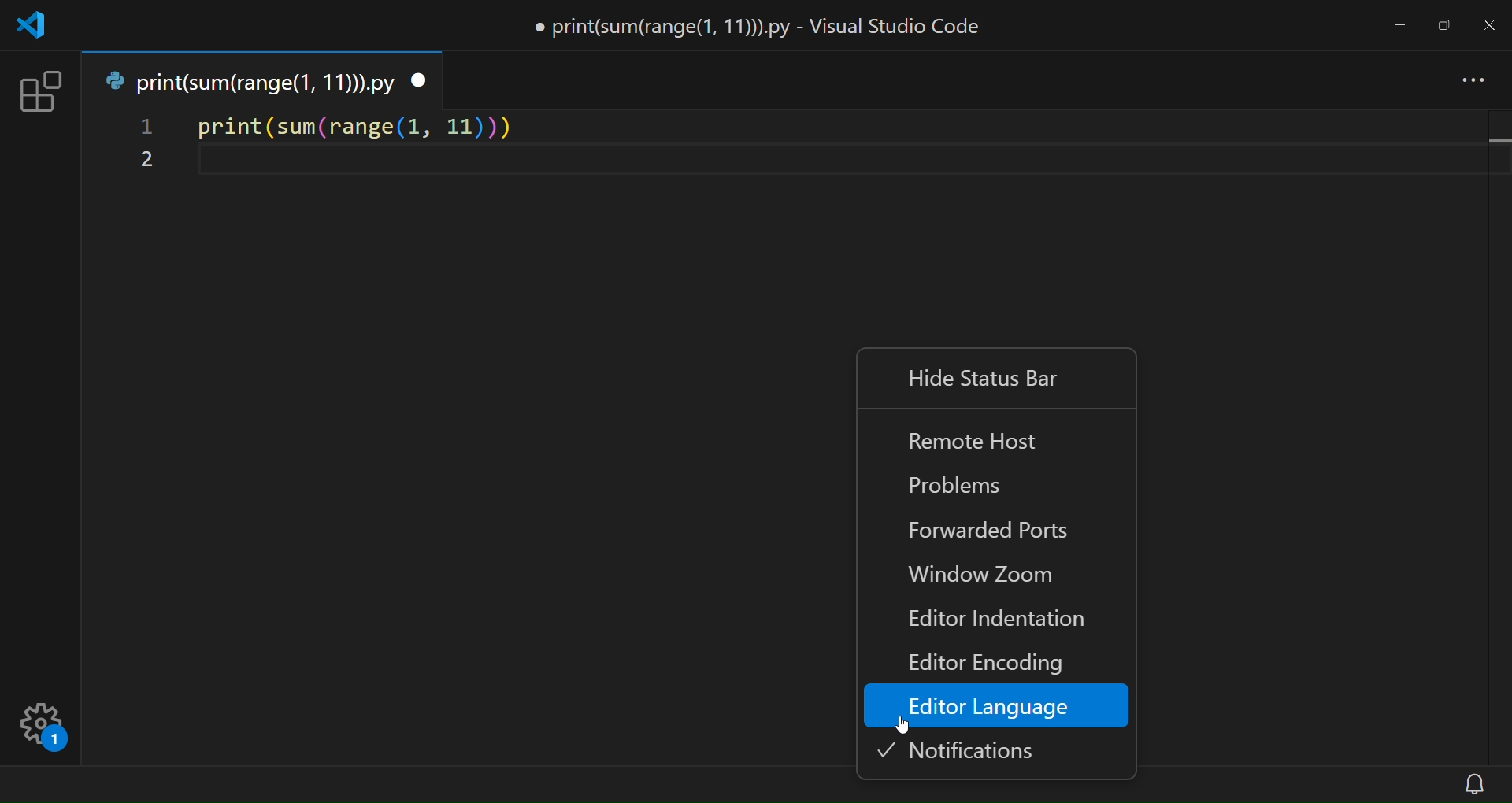  Describe the element at coordinates (1445, 24) in the screenshot. I see `maximize` at that location.